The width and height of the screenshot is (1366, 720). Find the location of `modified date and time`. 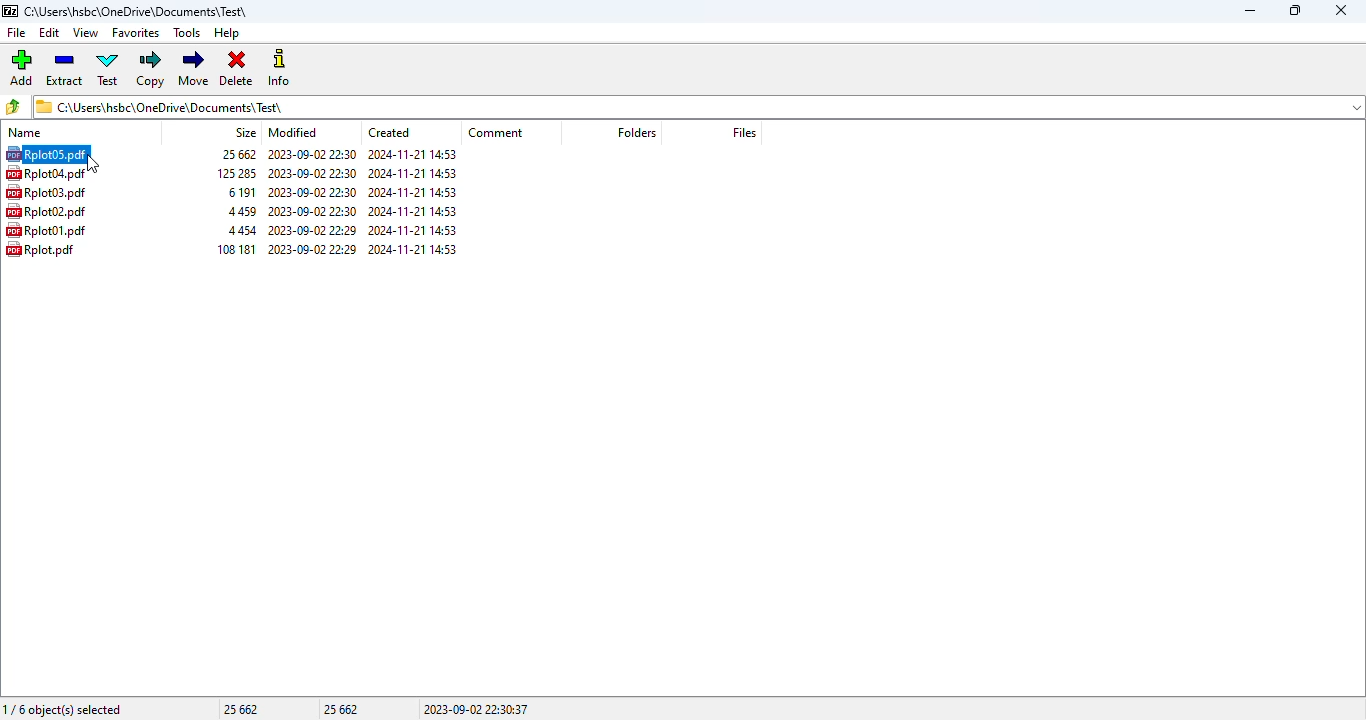

modified date and time is located at coordinates (312, 154).